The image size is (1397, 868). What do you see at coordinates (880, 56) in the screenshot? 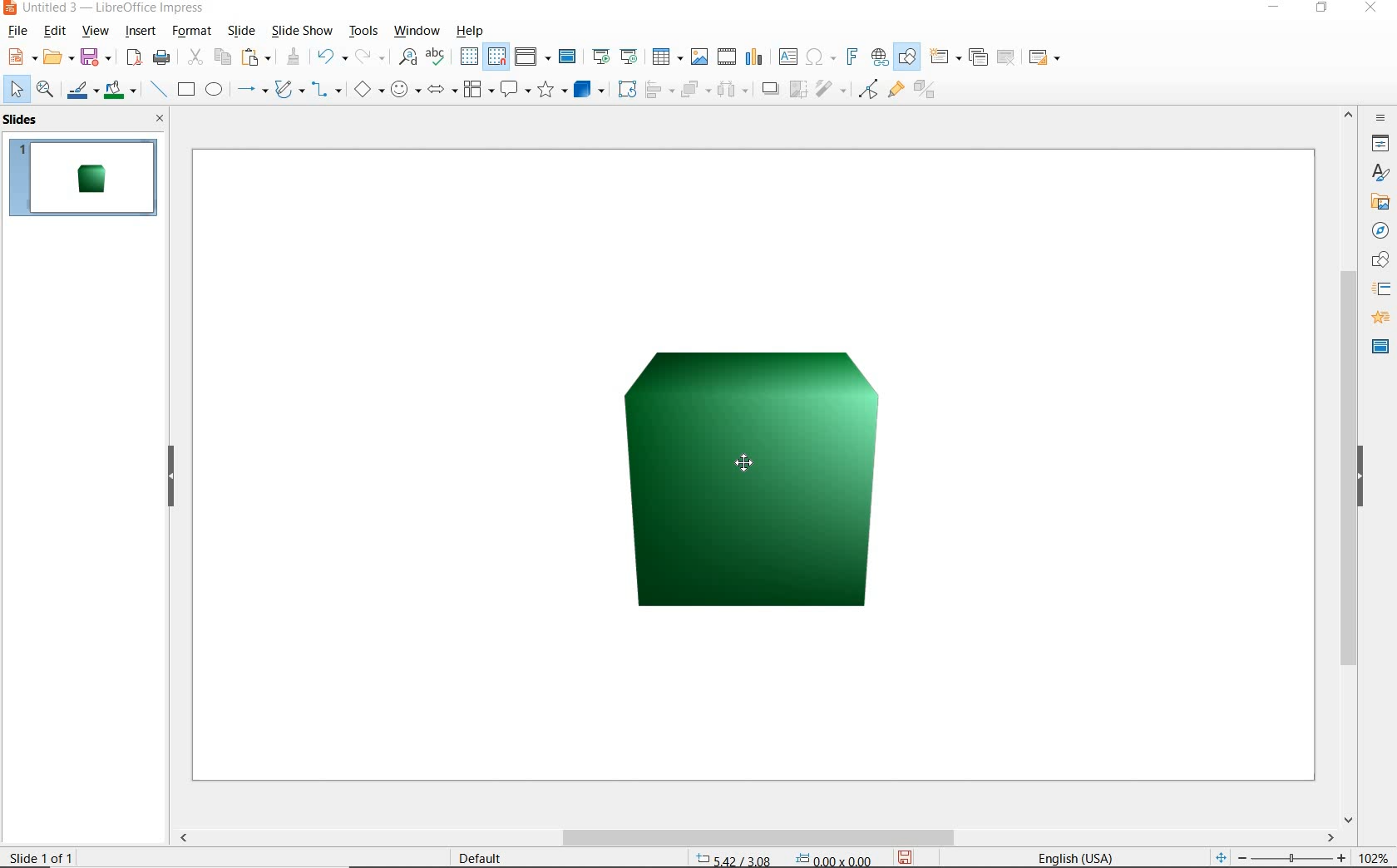
I see `insert hyperlink` at bounding box center [880, 56].